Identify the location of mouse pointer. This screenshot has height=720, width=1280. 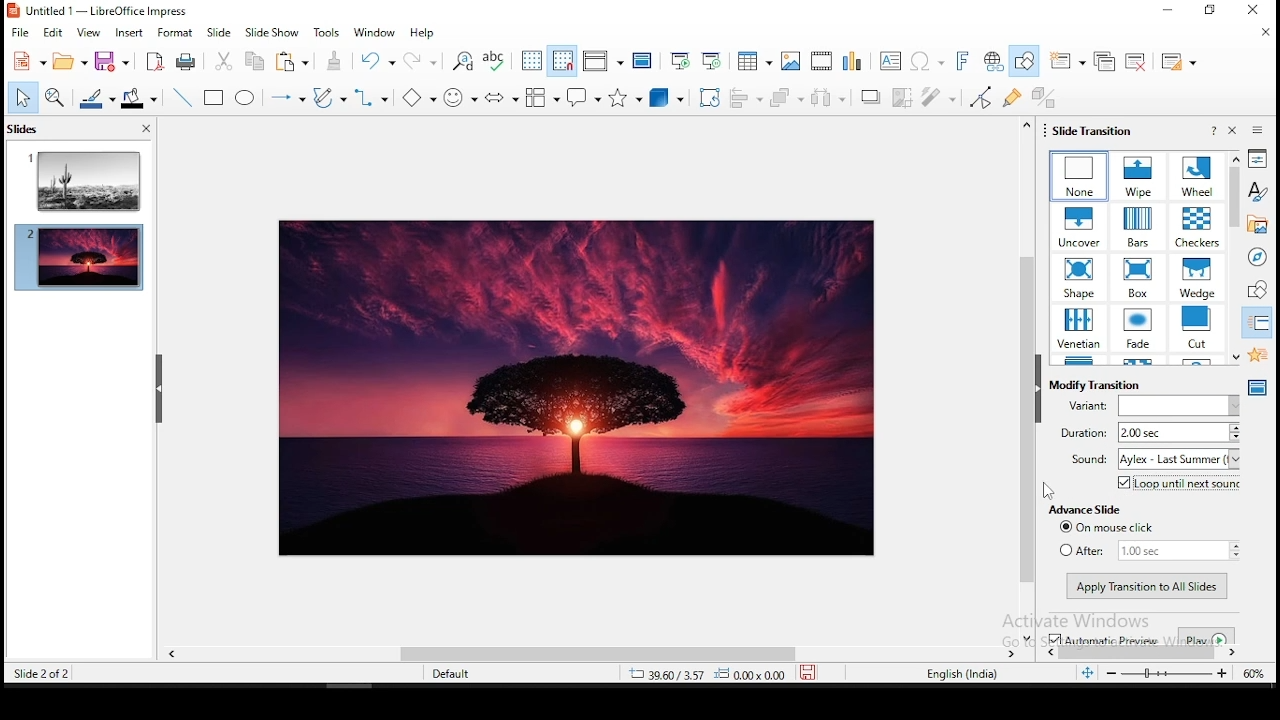
(1048, 492).